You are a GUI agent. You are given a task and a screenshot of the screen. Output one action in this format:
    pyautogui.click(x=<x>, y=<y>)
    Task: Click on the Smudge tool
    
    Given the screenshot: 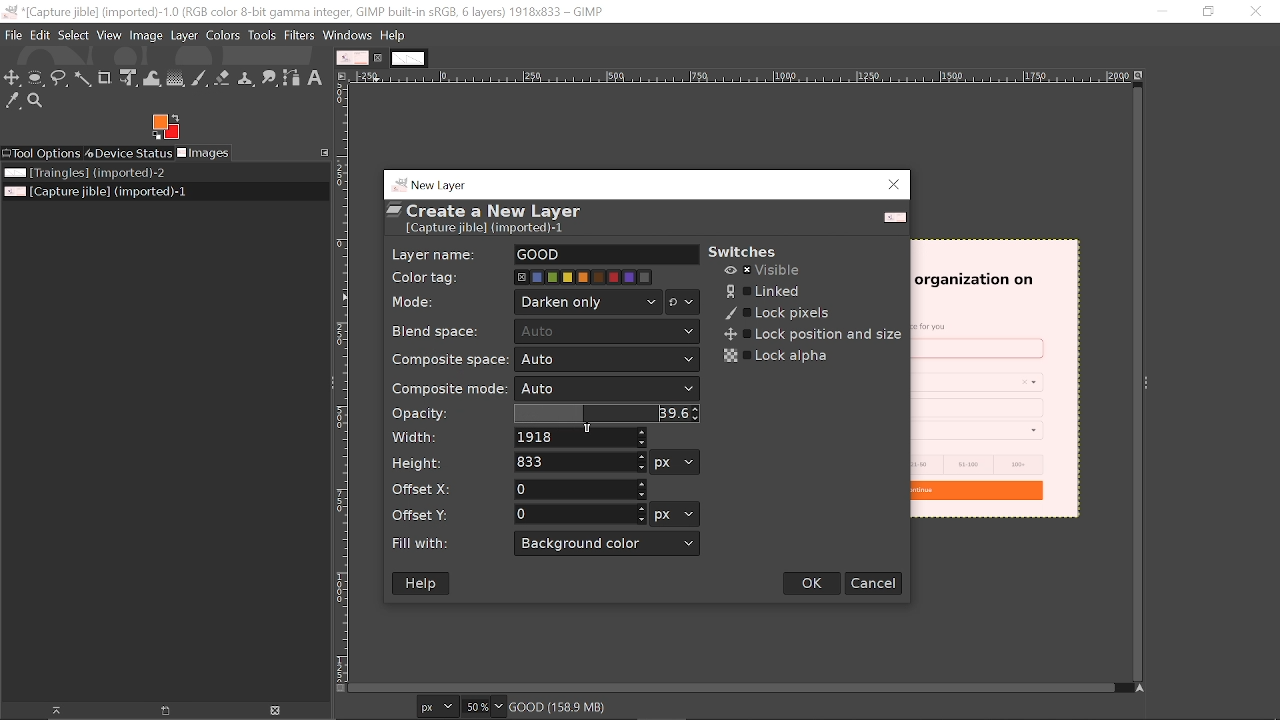 What is the action you would take?
    pyautogui.click(x=270, y=78)
    